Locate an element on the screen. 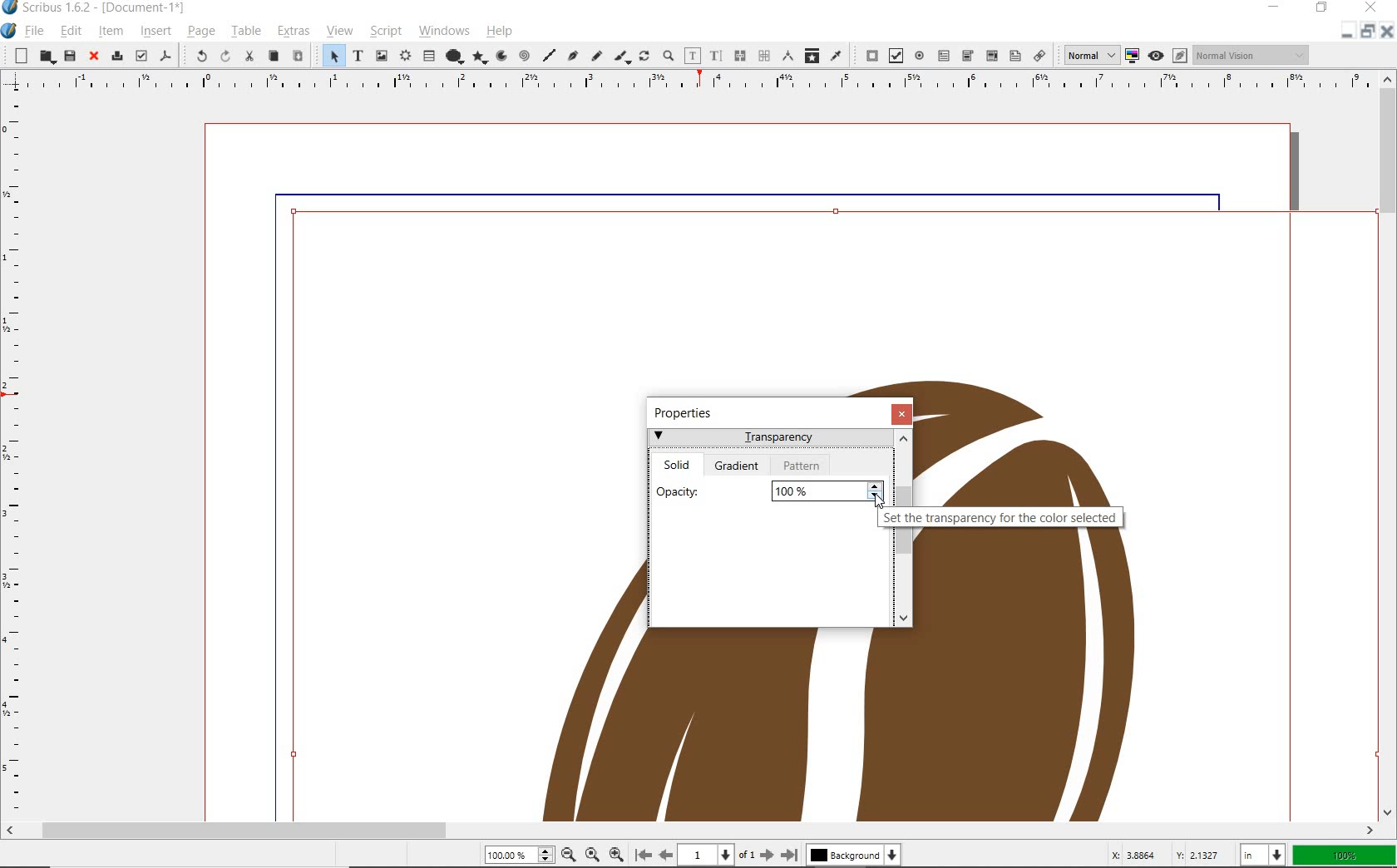 The height and width of the screenshot is (868, 1397). Zoom to 100% is located at coordinates (594, 855).